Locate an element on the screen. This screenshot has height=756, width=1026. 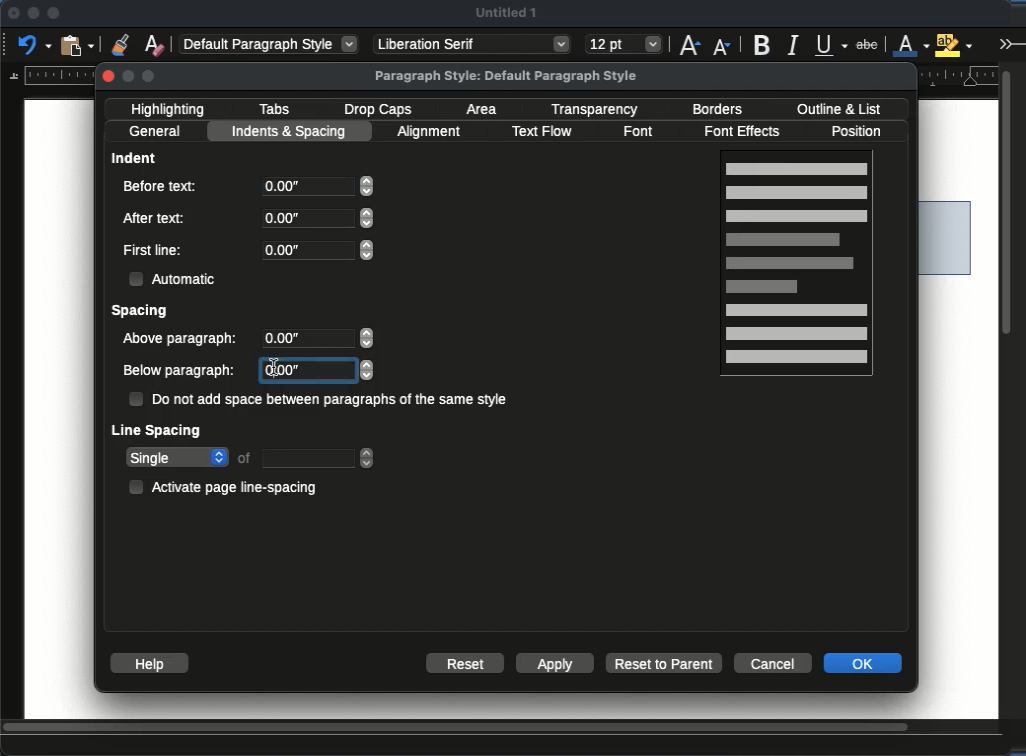
clear formatting is located at coordinates (154, 44).